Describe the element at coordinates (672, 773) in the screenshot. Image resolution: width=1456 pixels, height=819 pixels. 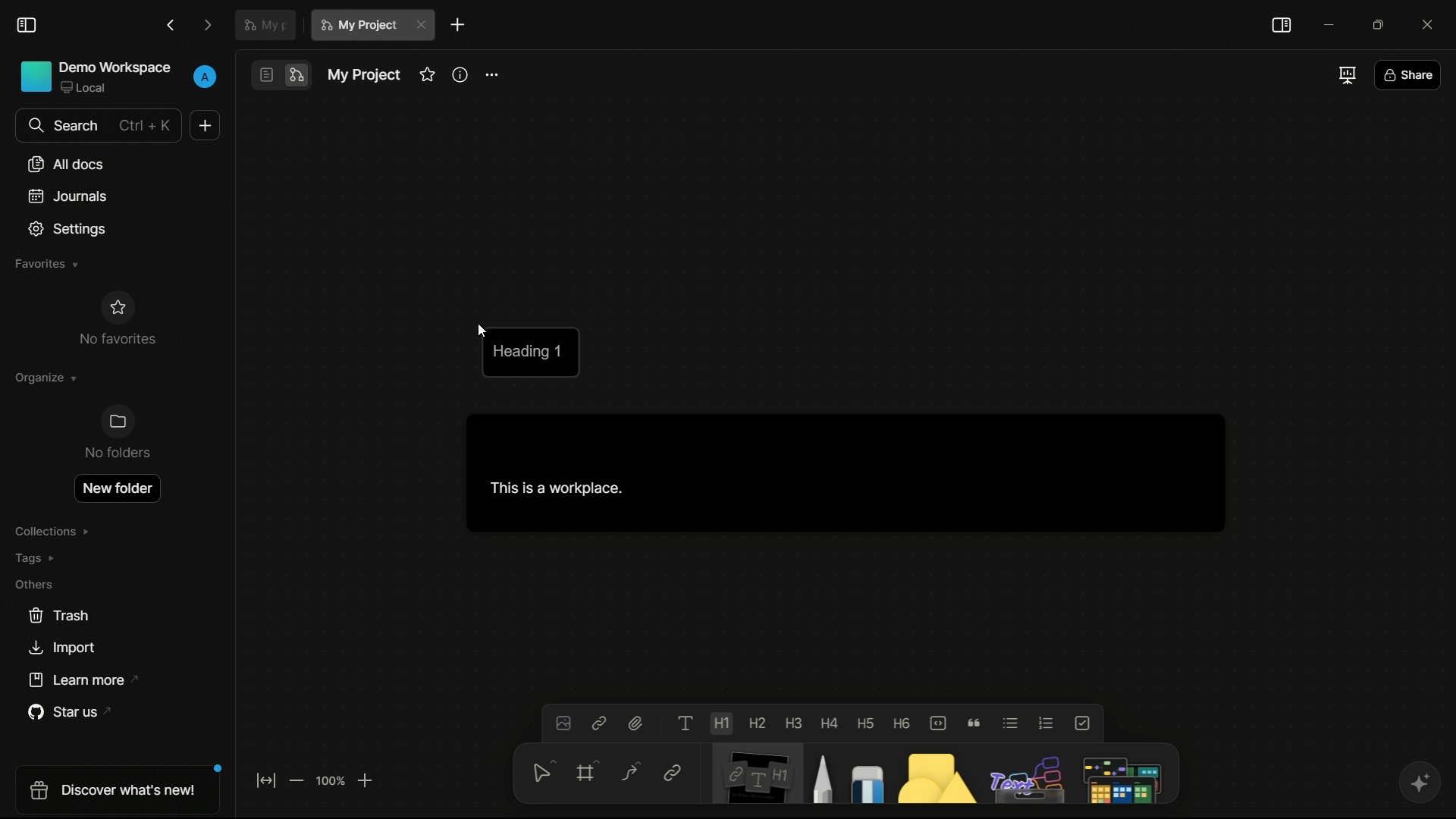
I see `link` at that location.